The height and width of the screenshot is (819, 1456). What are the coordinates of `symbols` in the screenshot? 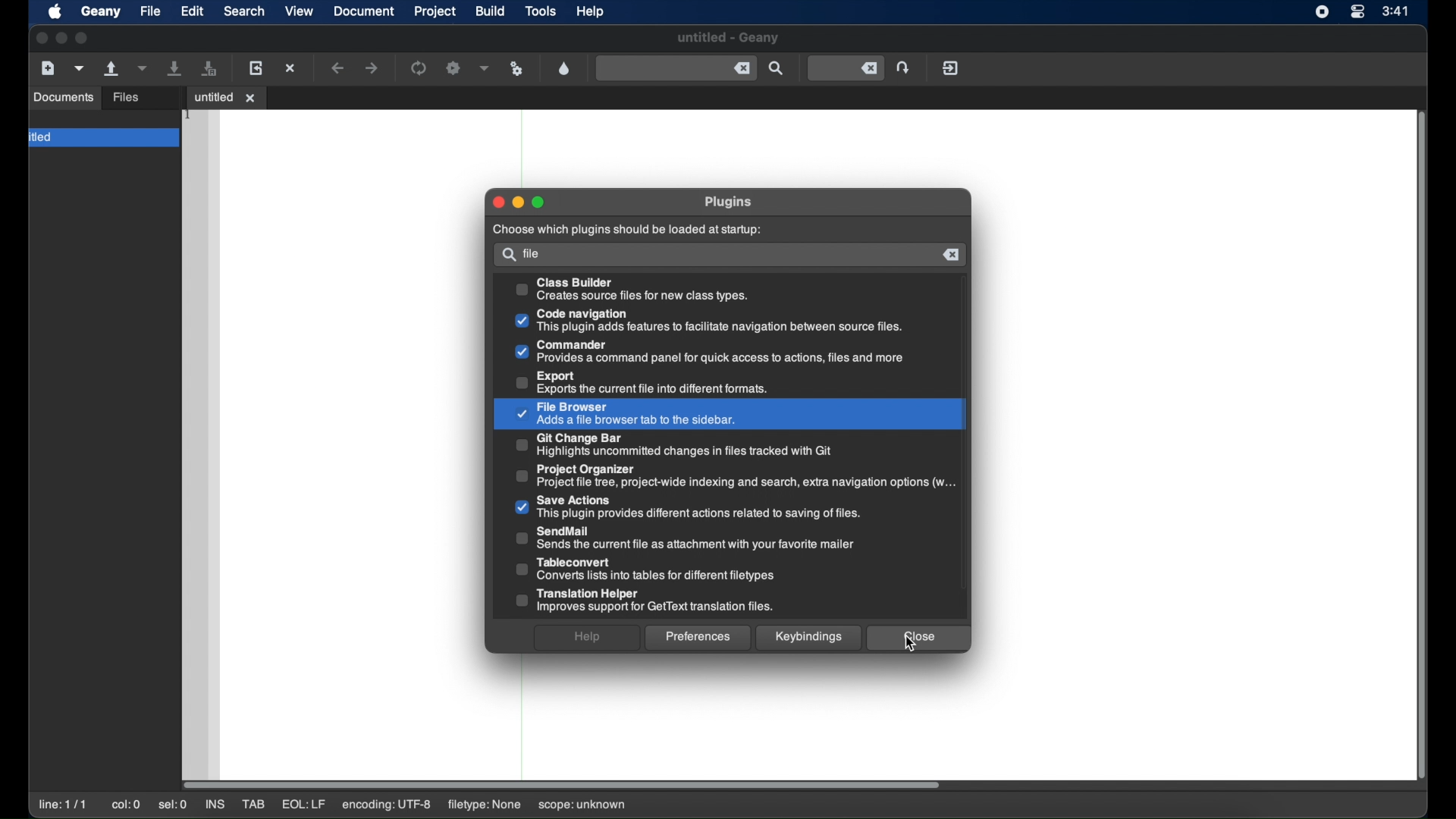 It's located at (50, 97).